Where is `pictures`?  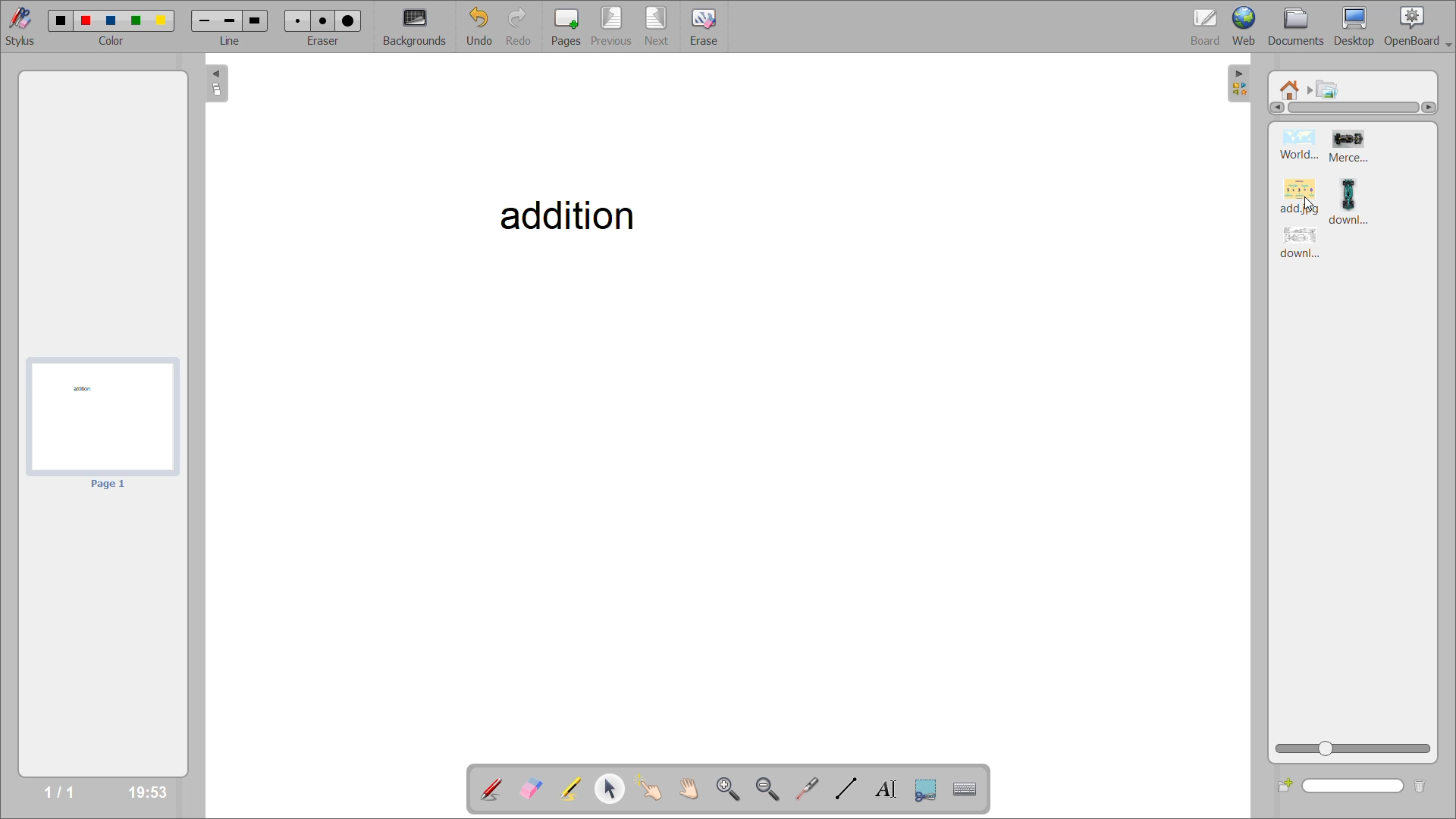
pictures is located at coordinates (1329, 89).